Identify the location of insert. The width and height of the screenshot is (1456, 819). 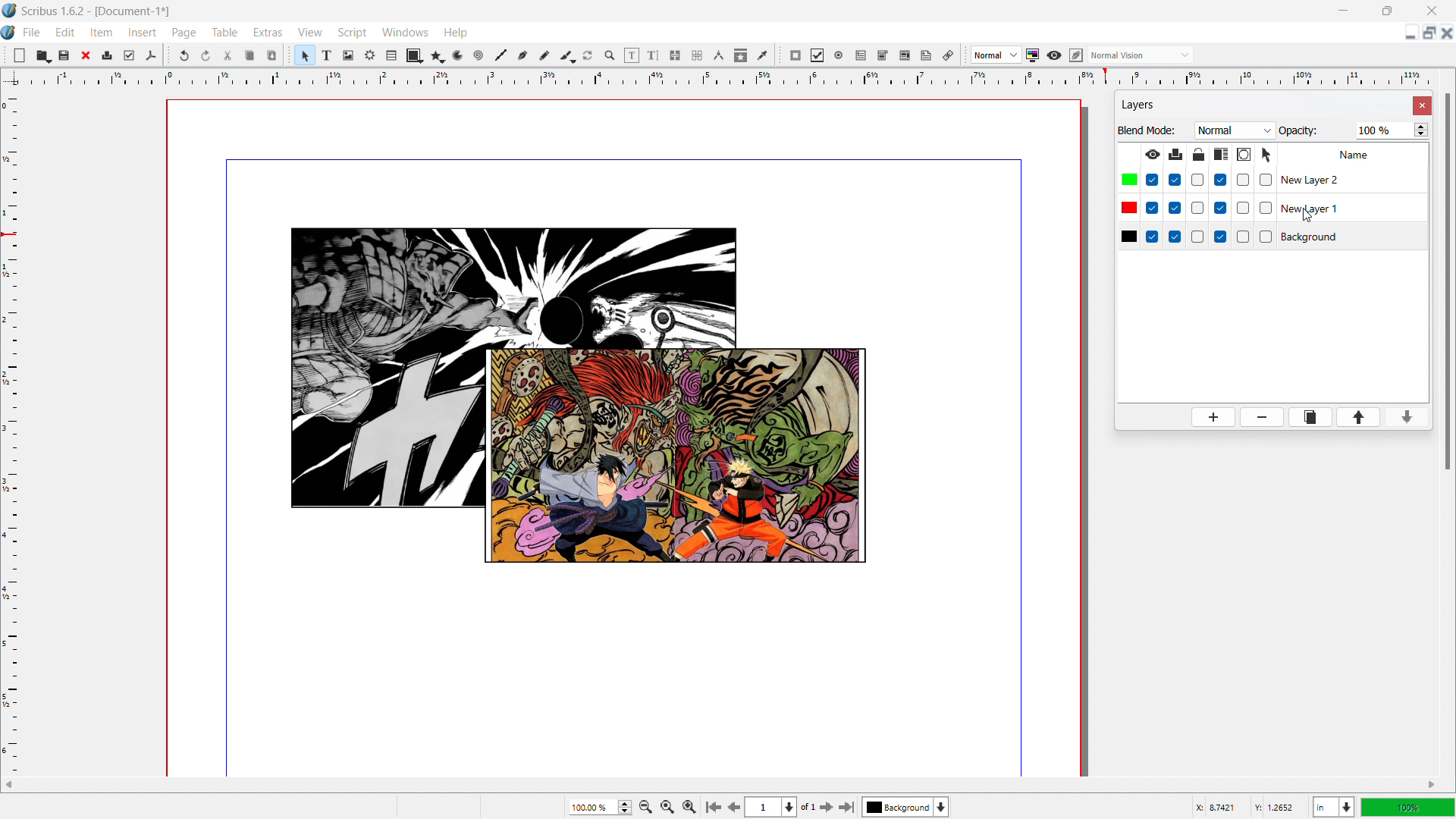
(143, 32).